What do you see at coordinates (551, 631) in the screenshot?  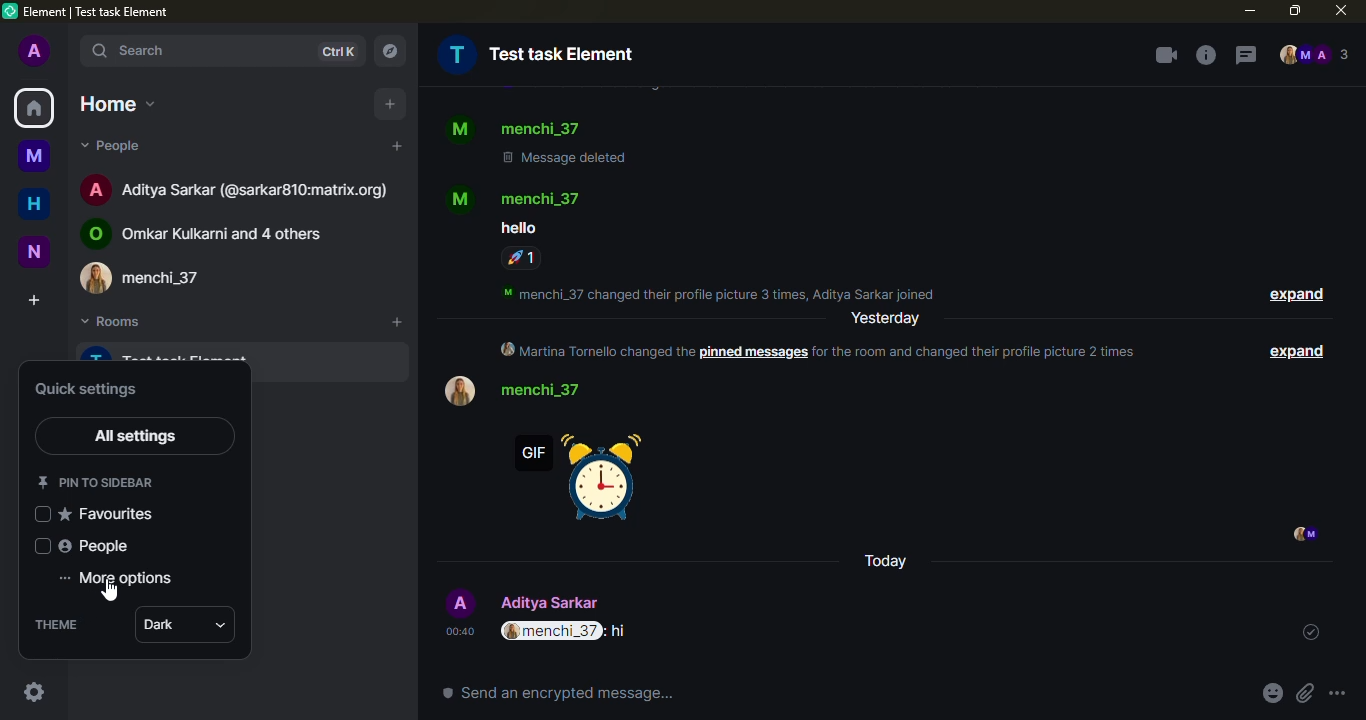 I see `mention` at bounding box center [551, 631].